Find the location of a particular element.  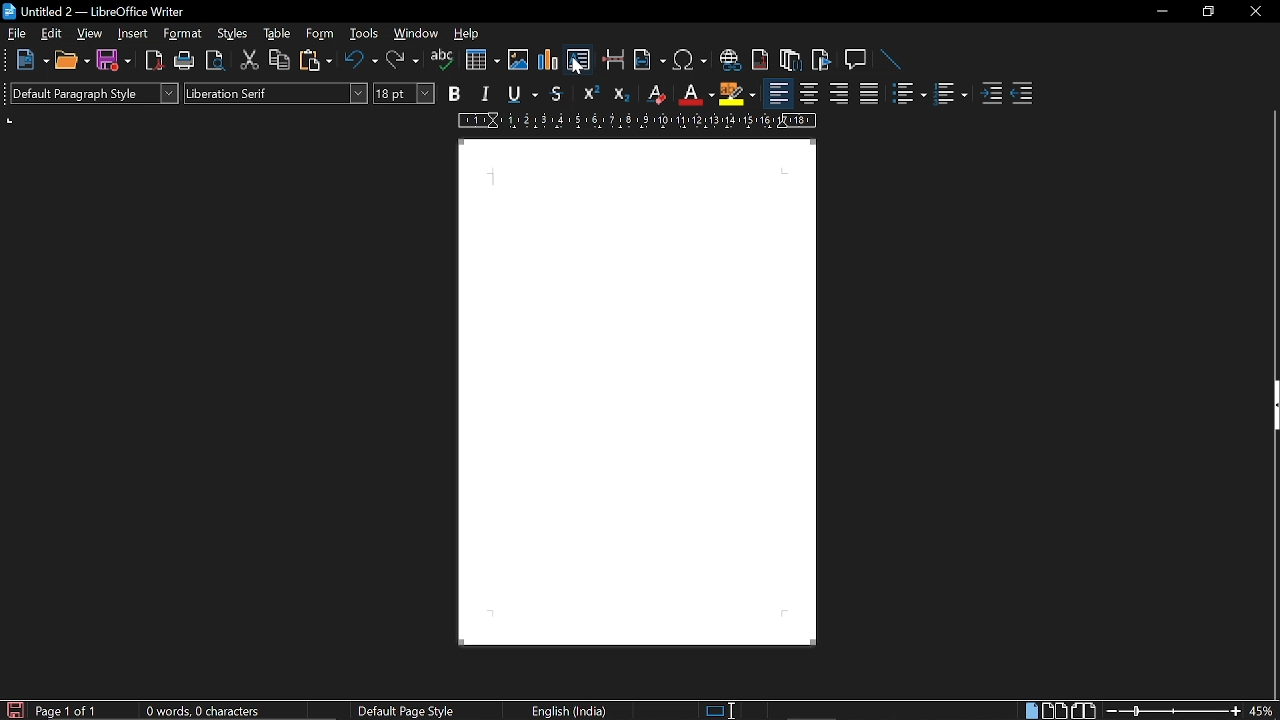

open is located at coordinates (72, 61).